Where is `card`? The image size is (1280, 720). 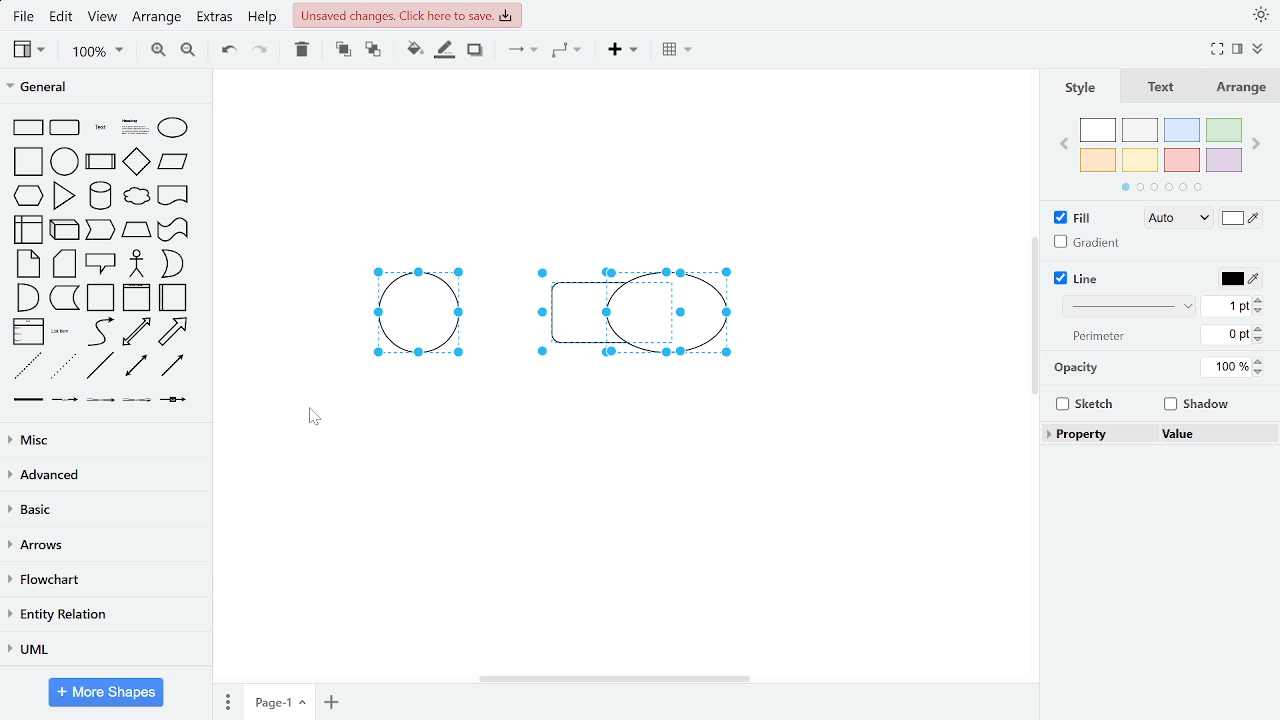
card is located at coordinates (65, 264).